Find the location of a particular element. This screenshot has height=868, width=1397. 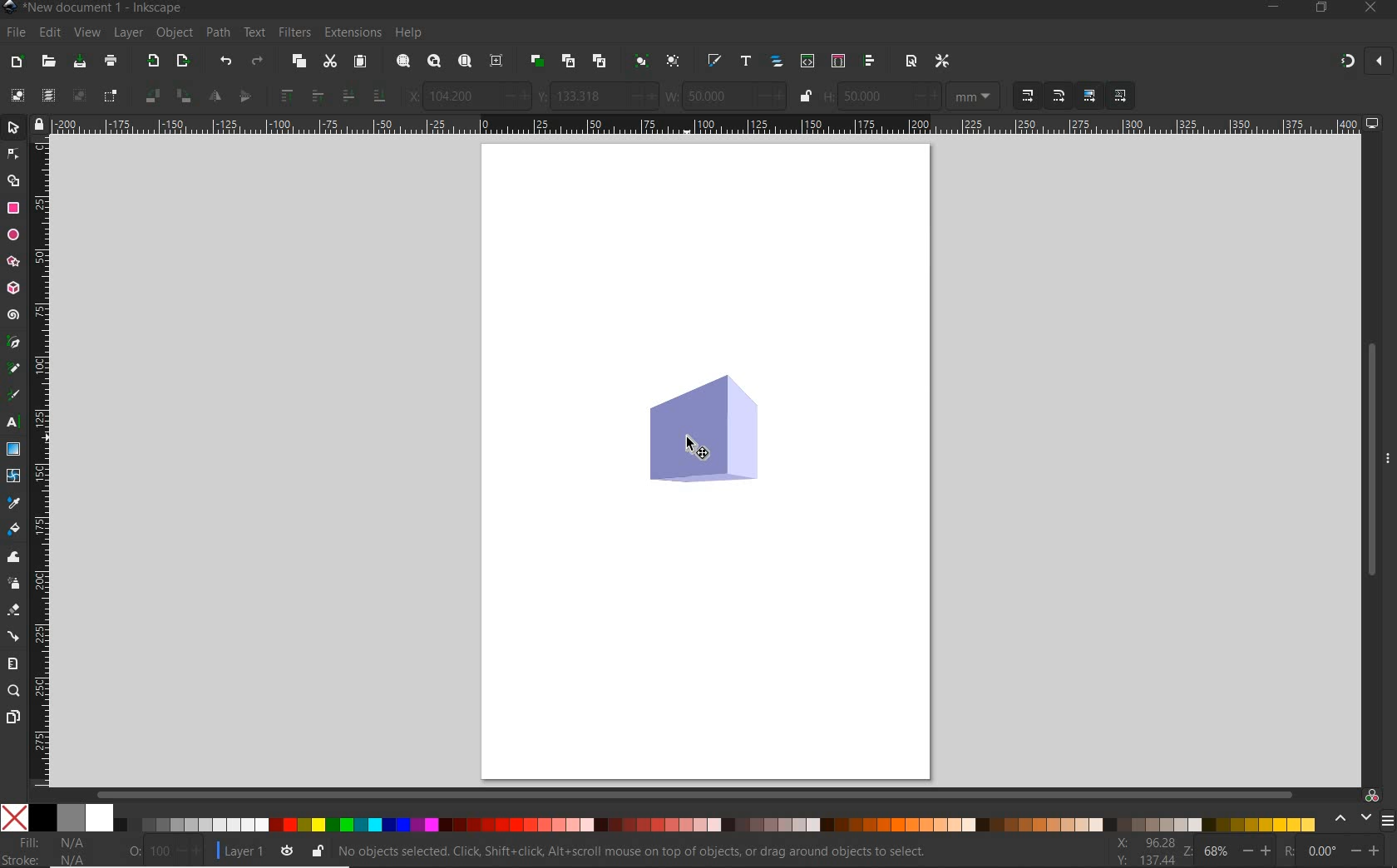

computer icon is located at coordinates (1375, 124).